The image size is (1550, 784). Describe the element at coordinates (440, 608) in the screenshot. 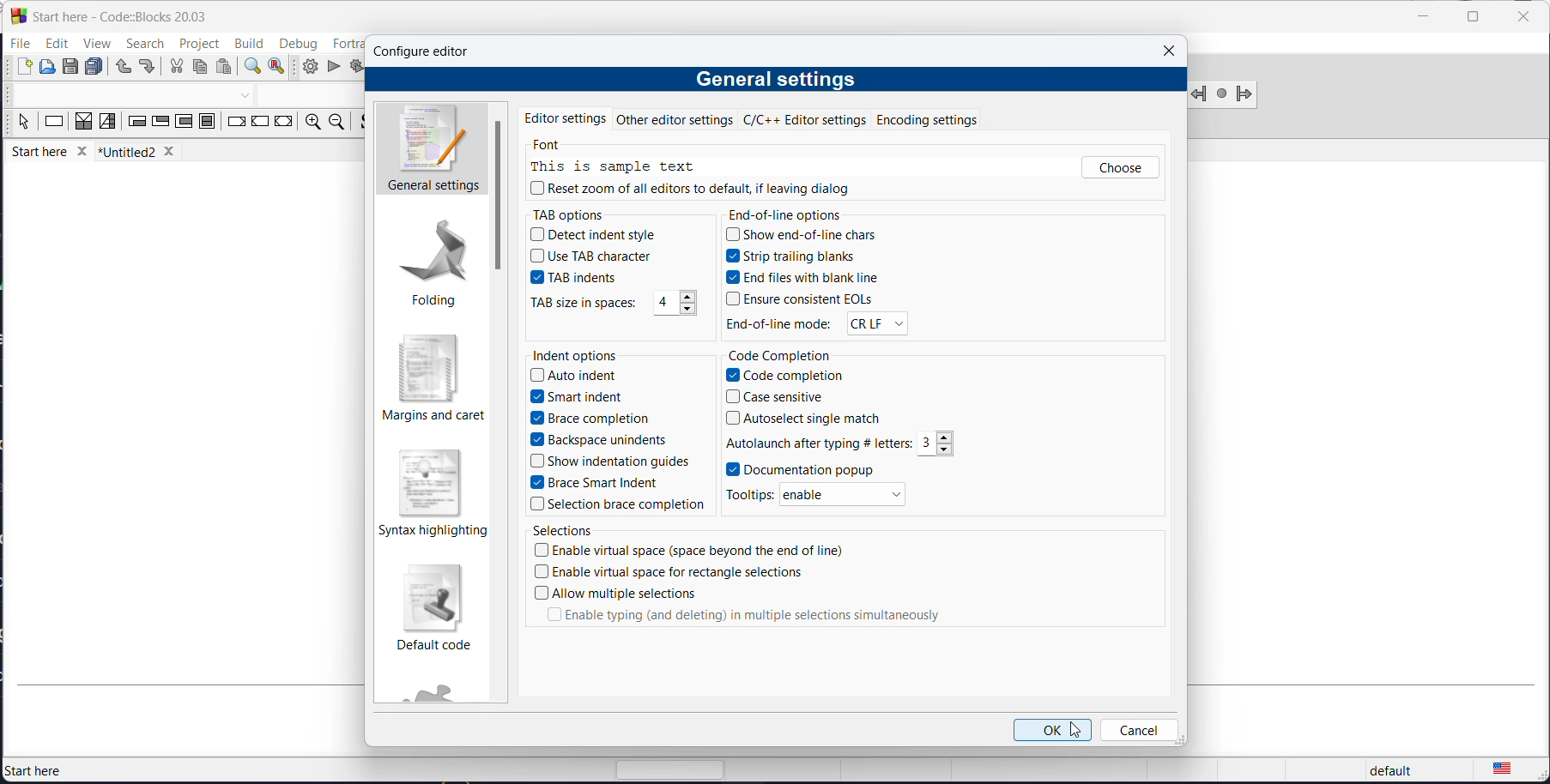

I see `default code ` at that location.